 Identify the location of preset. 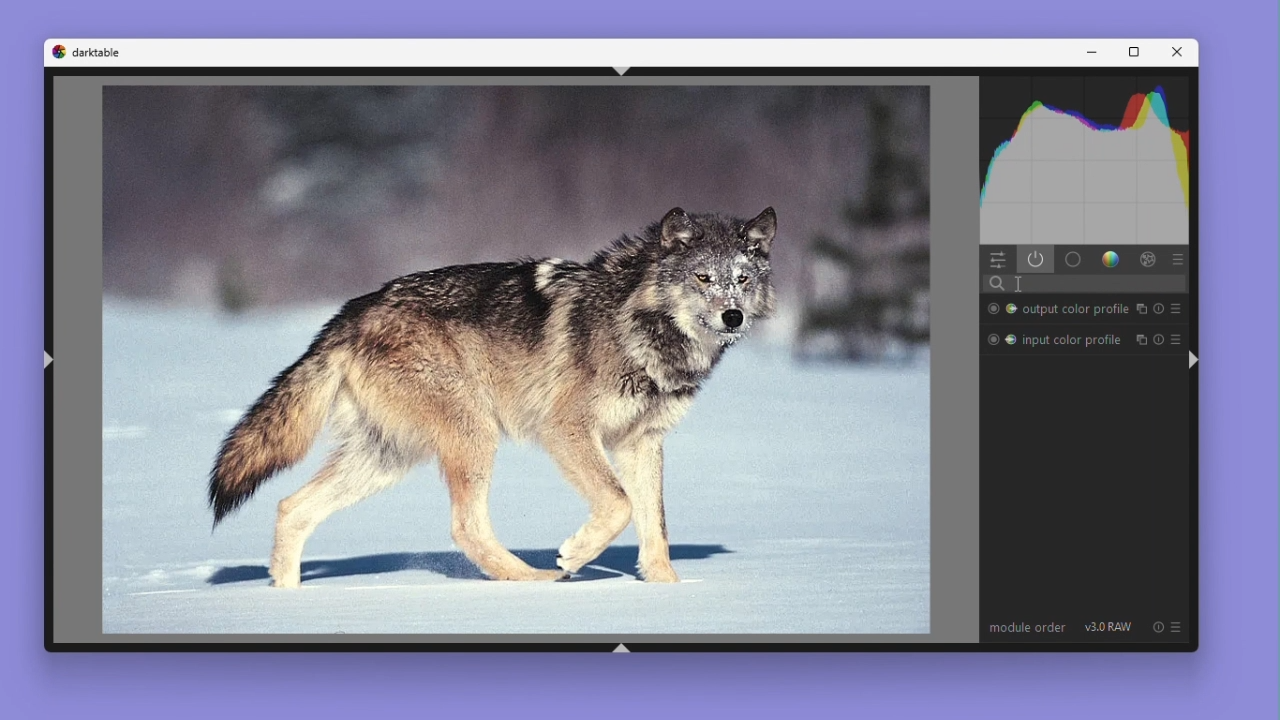
(1177, 309).